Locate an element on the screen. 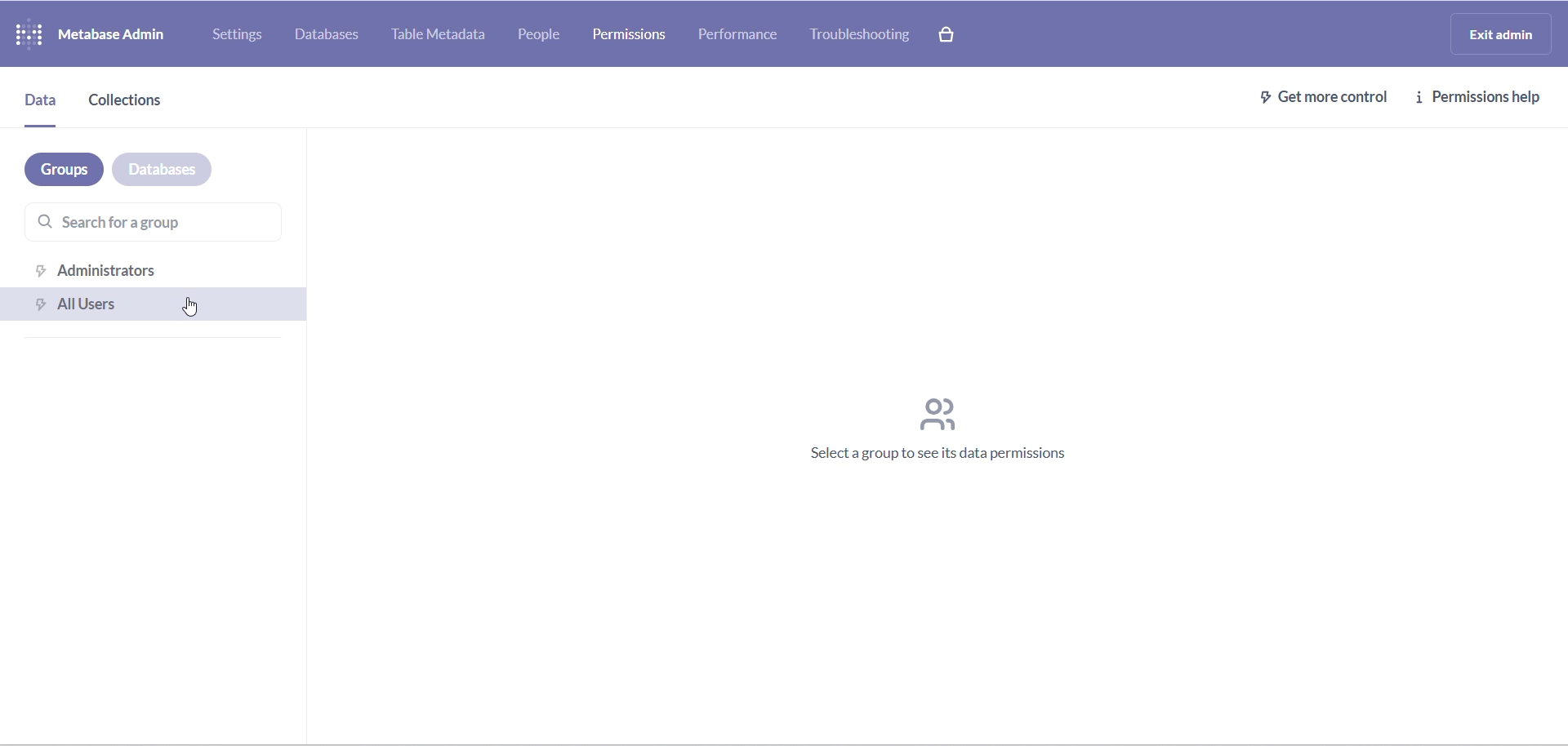 This screenshot has width=1568, height=746. databases is located at coordinates (163, 172).